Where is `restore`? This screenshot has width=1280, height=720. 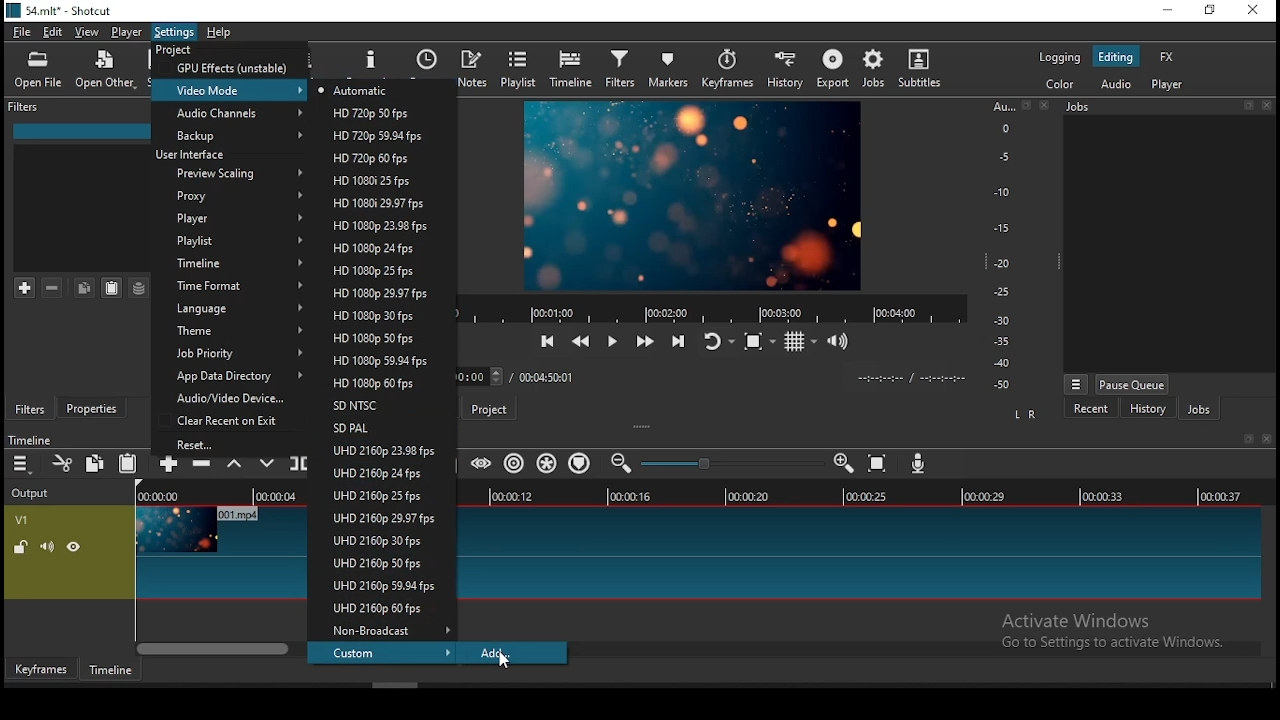
restore is located at coordinates (1246, 440).